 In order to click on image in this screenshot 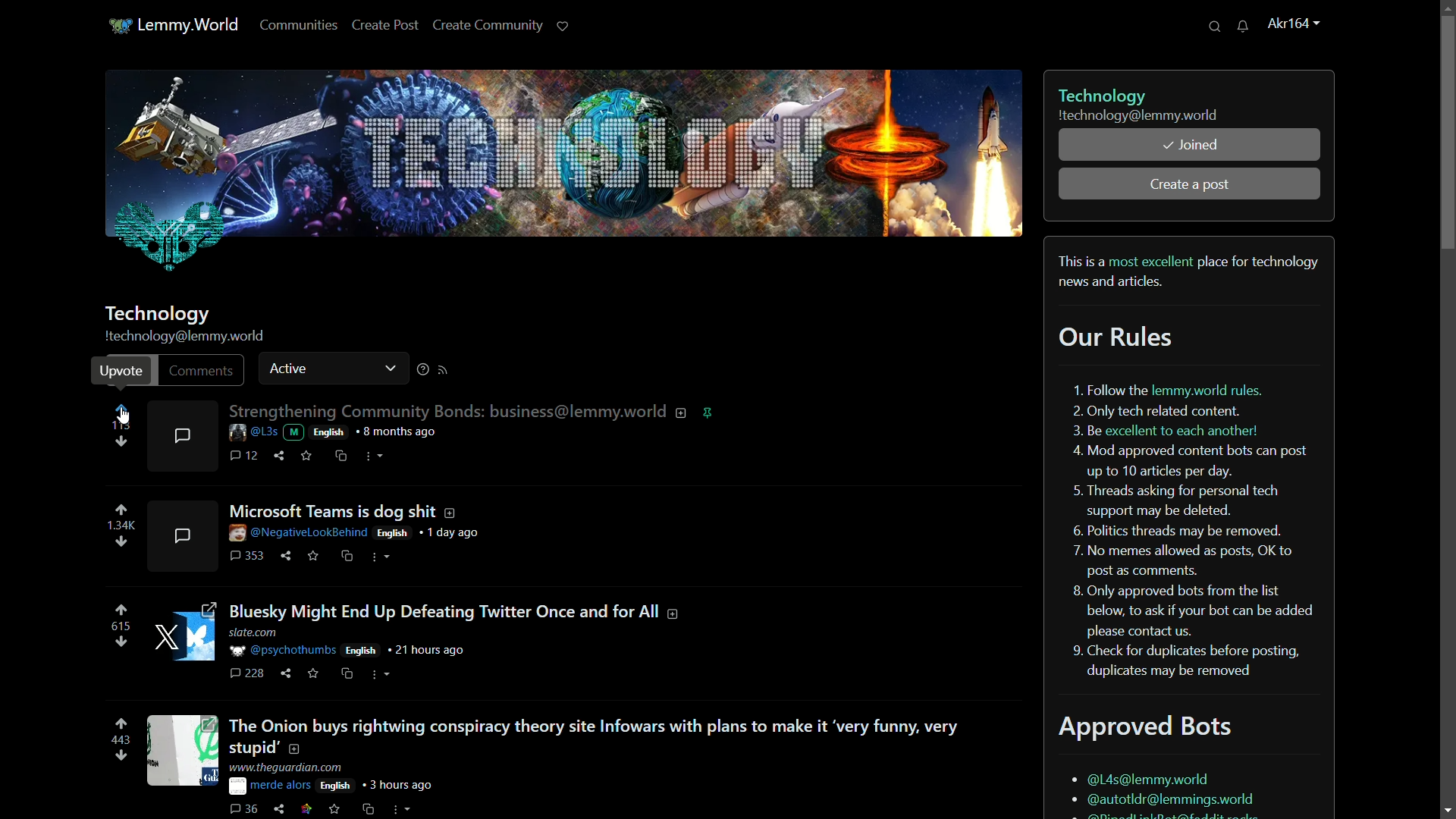, I will do `click(181, 752)`.